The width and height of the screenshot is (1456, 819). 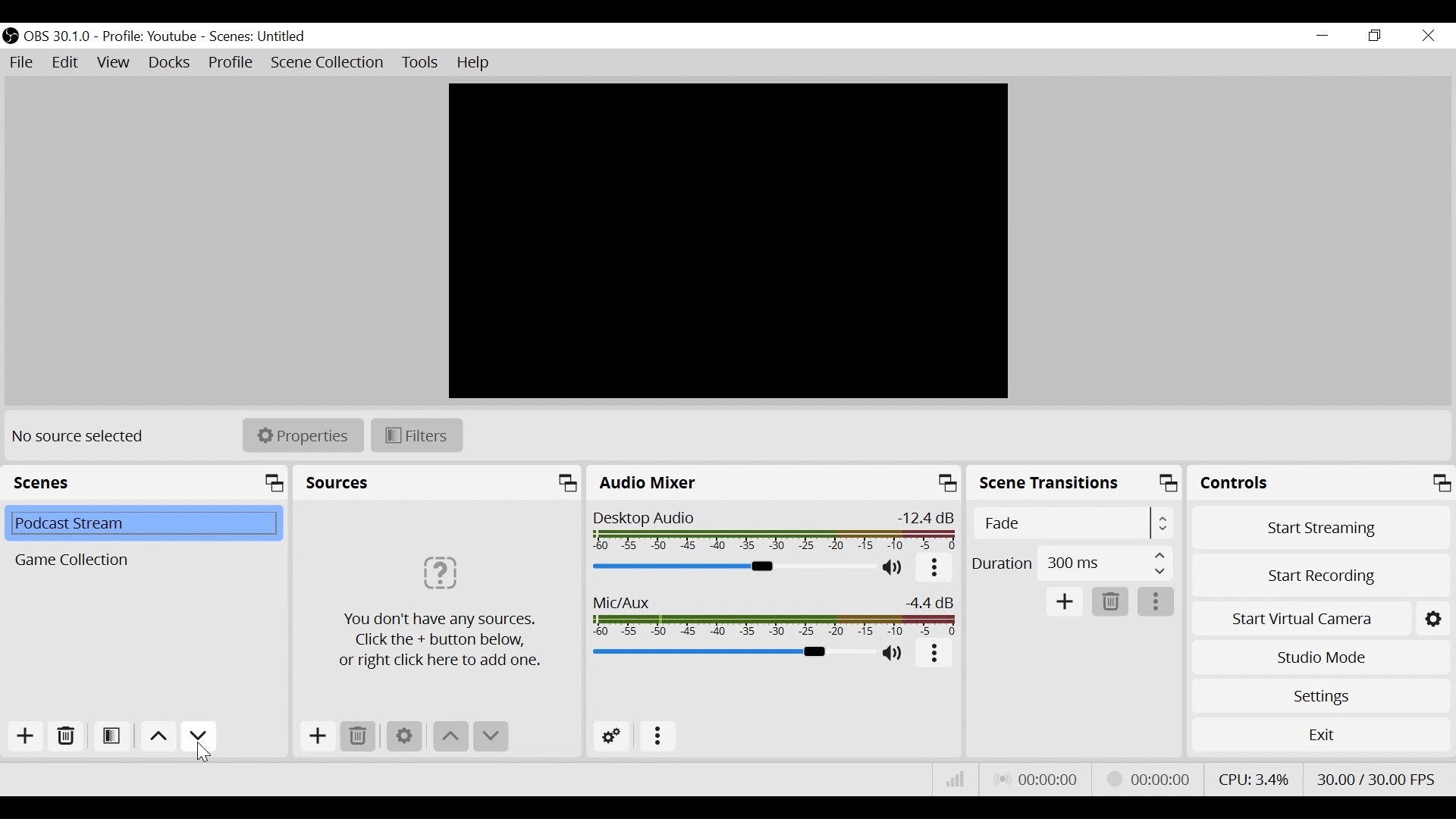 What do you see at coordinates (449, 737) in the screenshot?
I see `move up` at bounding box center [449, 737].